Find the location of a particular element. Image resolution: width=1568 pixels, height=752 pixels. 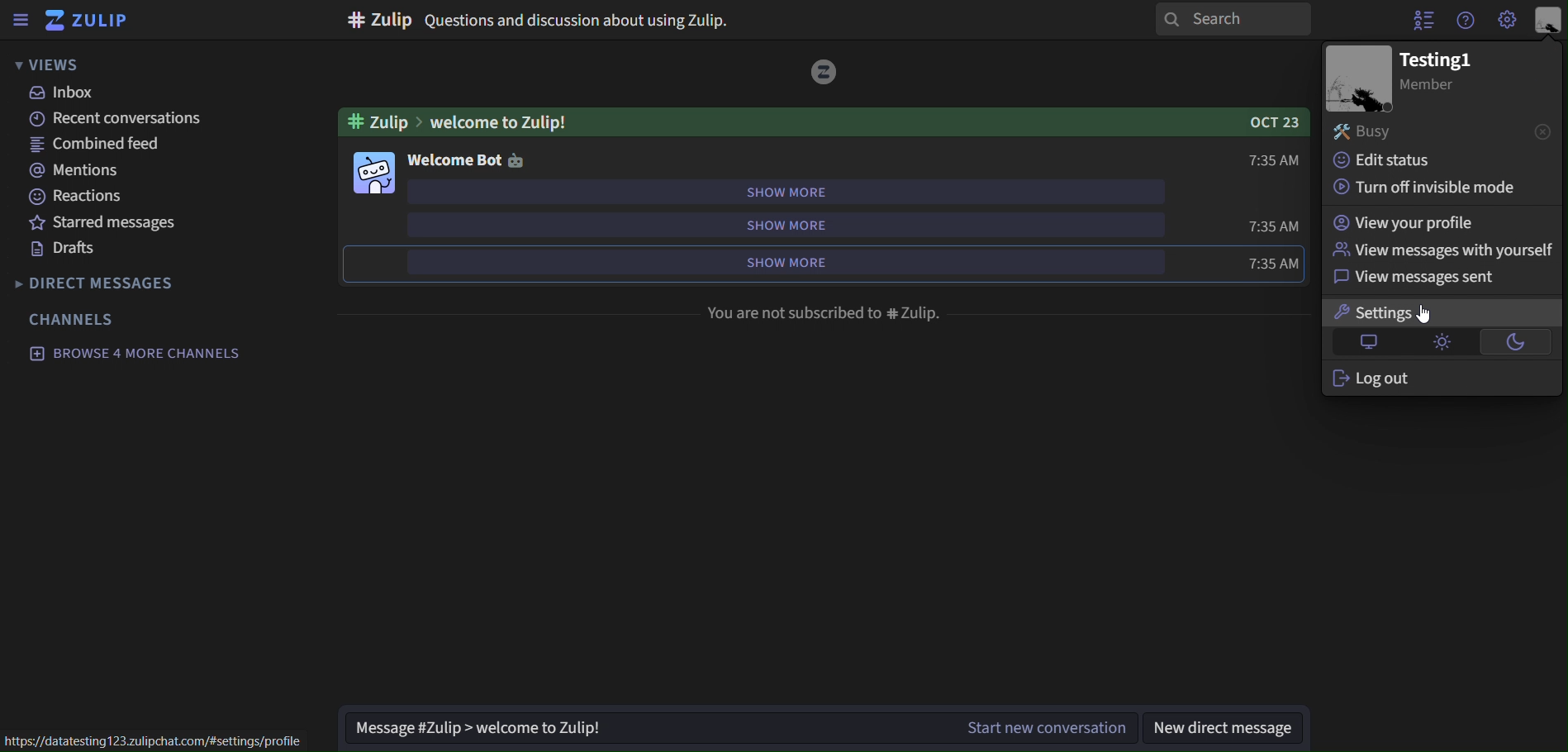

sidebar is located at coordinates (21, 22).